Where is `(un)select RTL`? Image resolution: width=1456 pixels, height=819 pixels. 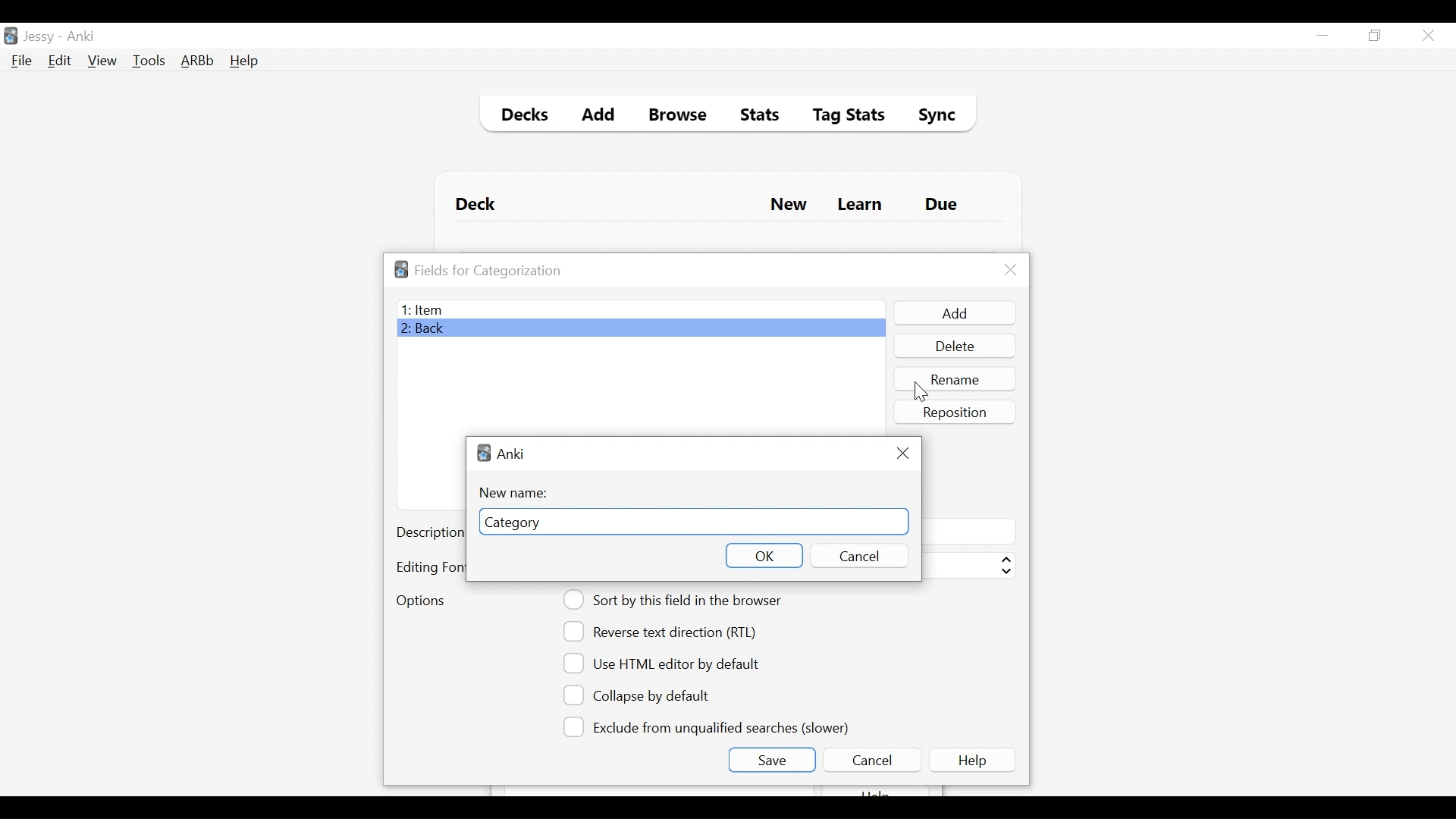
(un)select RTL is located at coordinates (667, 632).